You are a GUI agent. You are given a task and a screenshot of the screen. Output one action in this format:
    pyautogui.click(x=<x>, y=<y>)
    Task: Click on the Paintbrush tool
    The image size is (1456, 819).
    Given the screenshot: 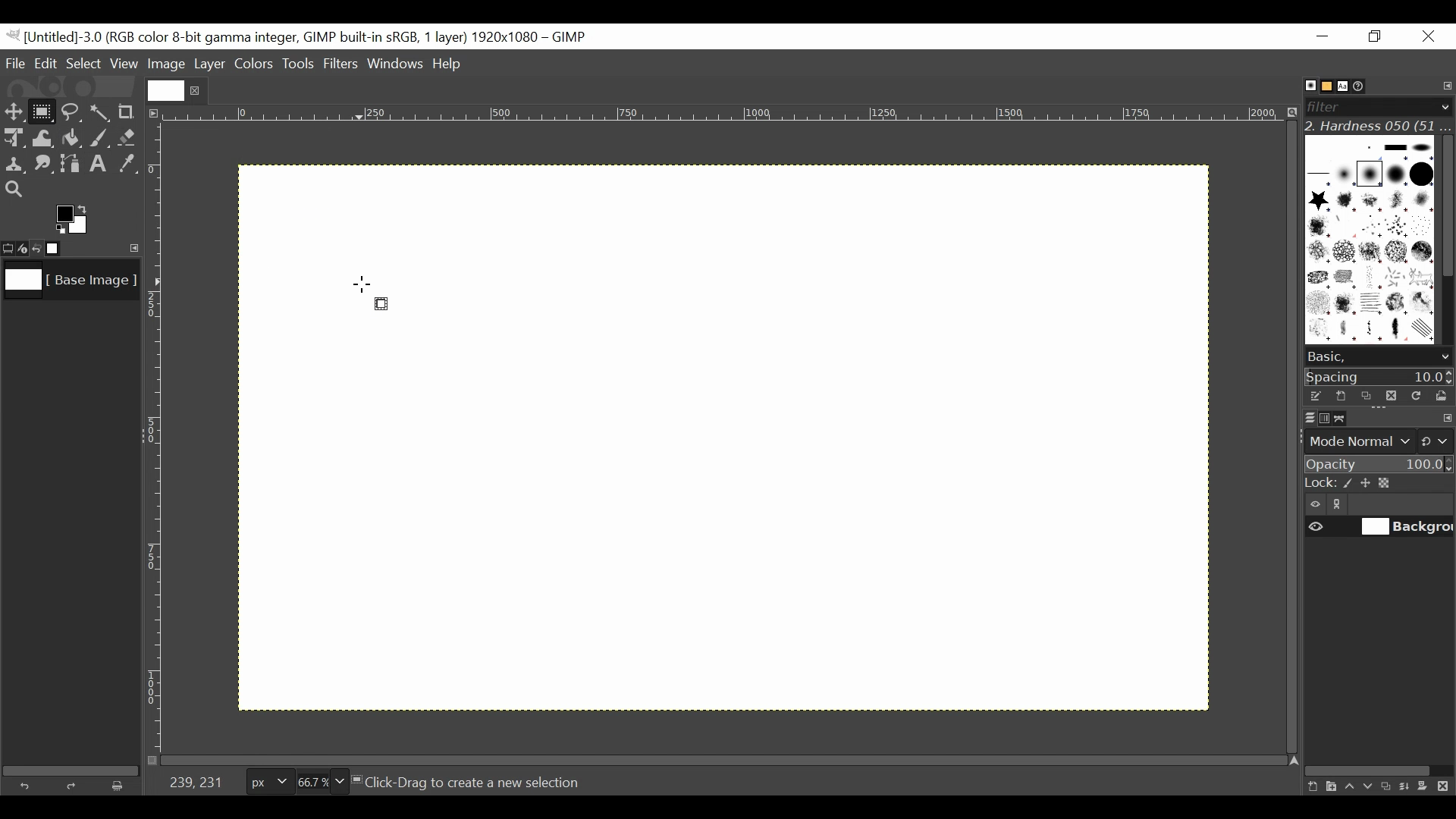 What is the action you would take?
    pyautogui.click(x=99, y=140)
    